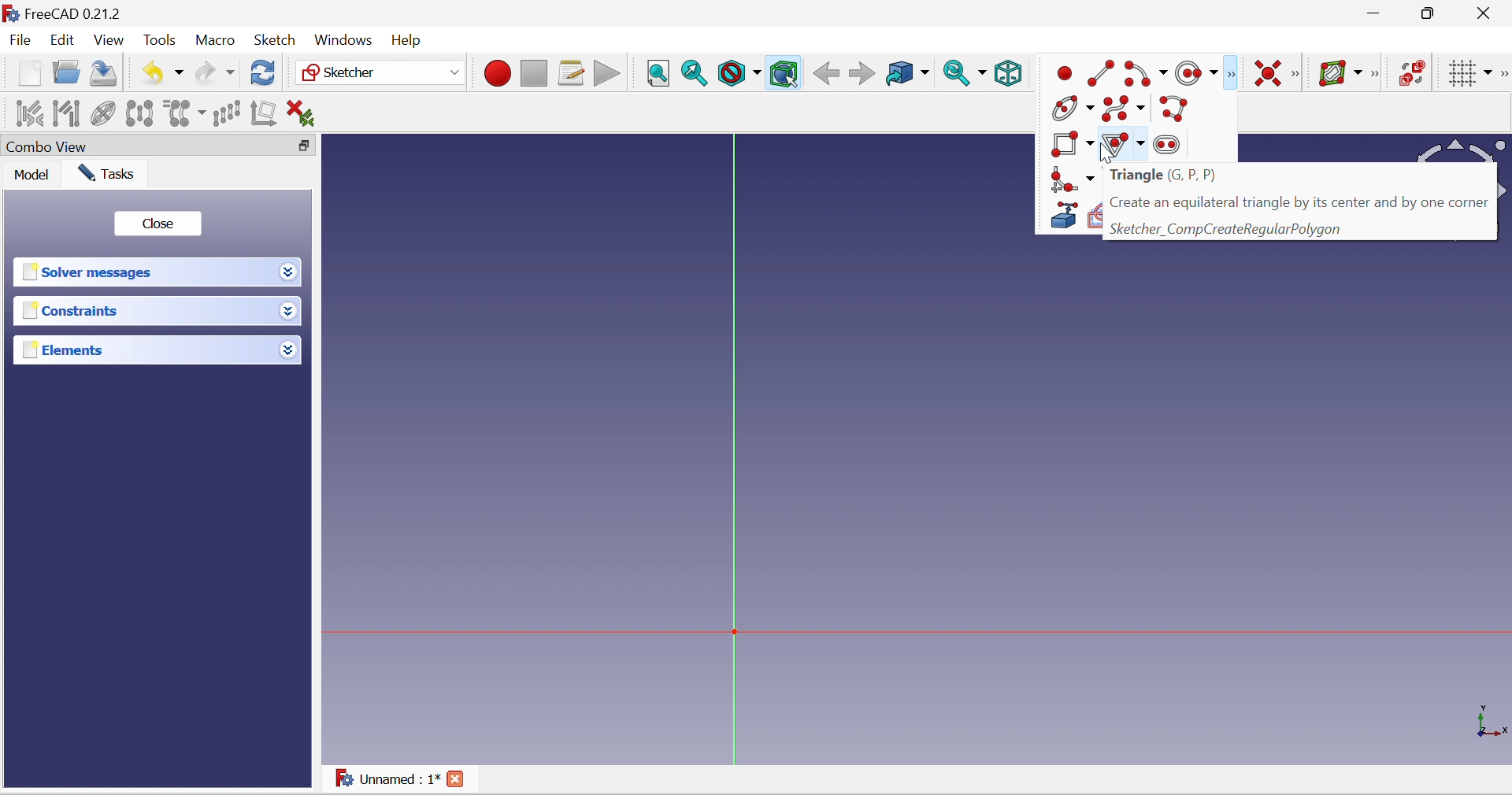 This screenshot has width=1512, height=795. I want to click on Macros, so click(572, 74).